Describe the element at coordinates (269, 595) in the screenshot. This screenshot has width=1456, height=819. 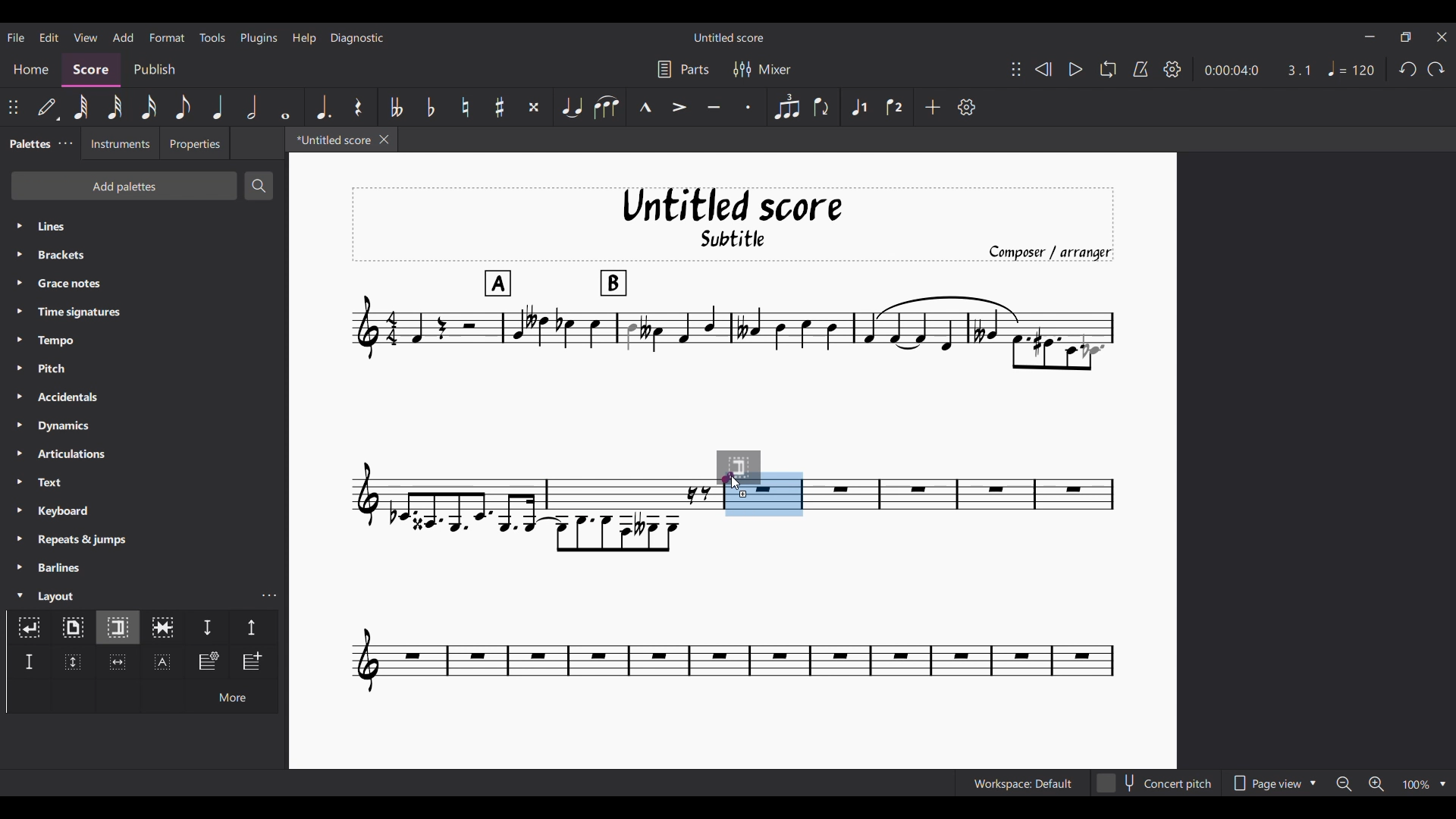
I see `Layout palette settings` at that location.